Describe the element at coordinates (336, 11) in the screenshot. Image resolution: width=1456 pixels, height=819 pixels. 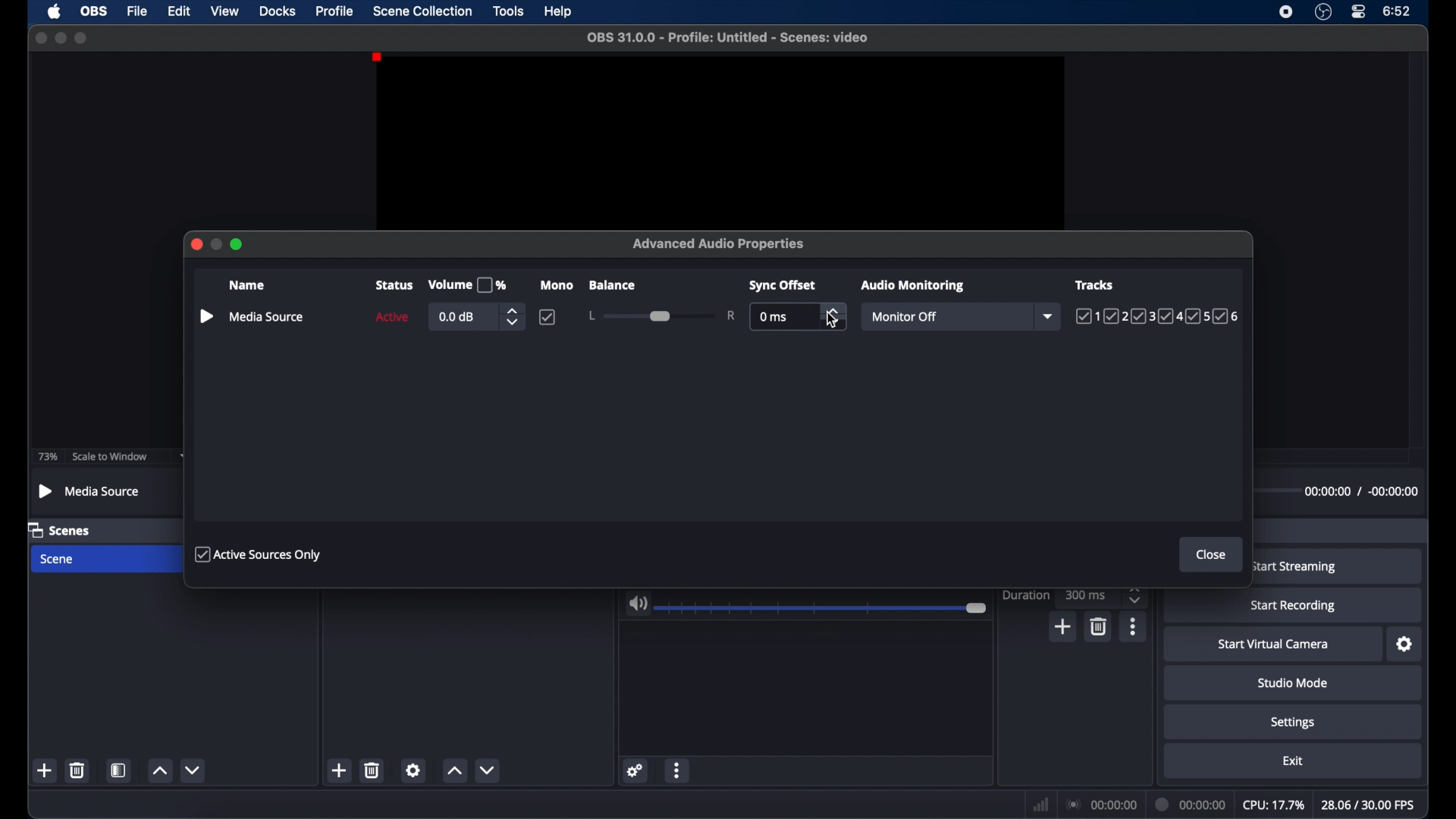
I see `profile` at that location.